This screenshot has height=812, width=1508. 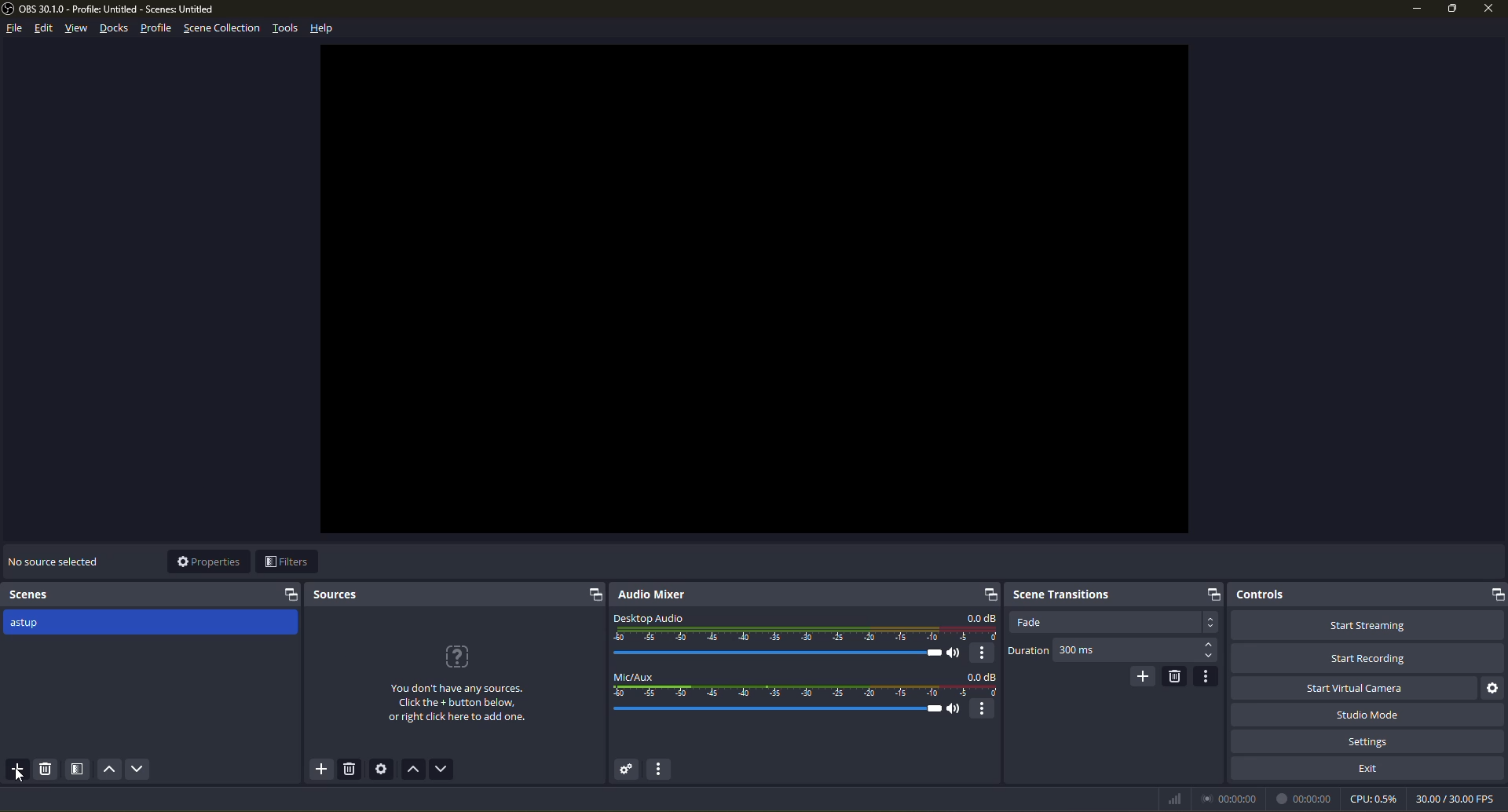 I want to click on open scene filters, so click(x=79, y=769).